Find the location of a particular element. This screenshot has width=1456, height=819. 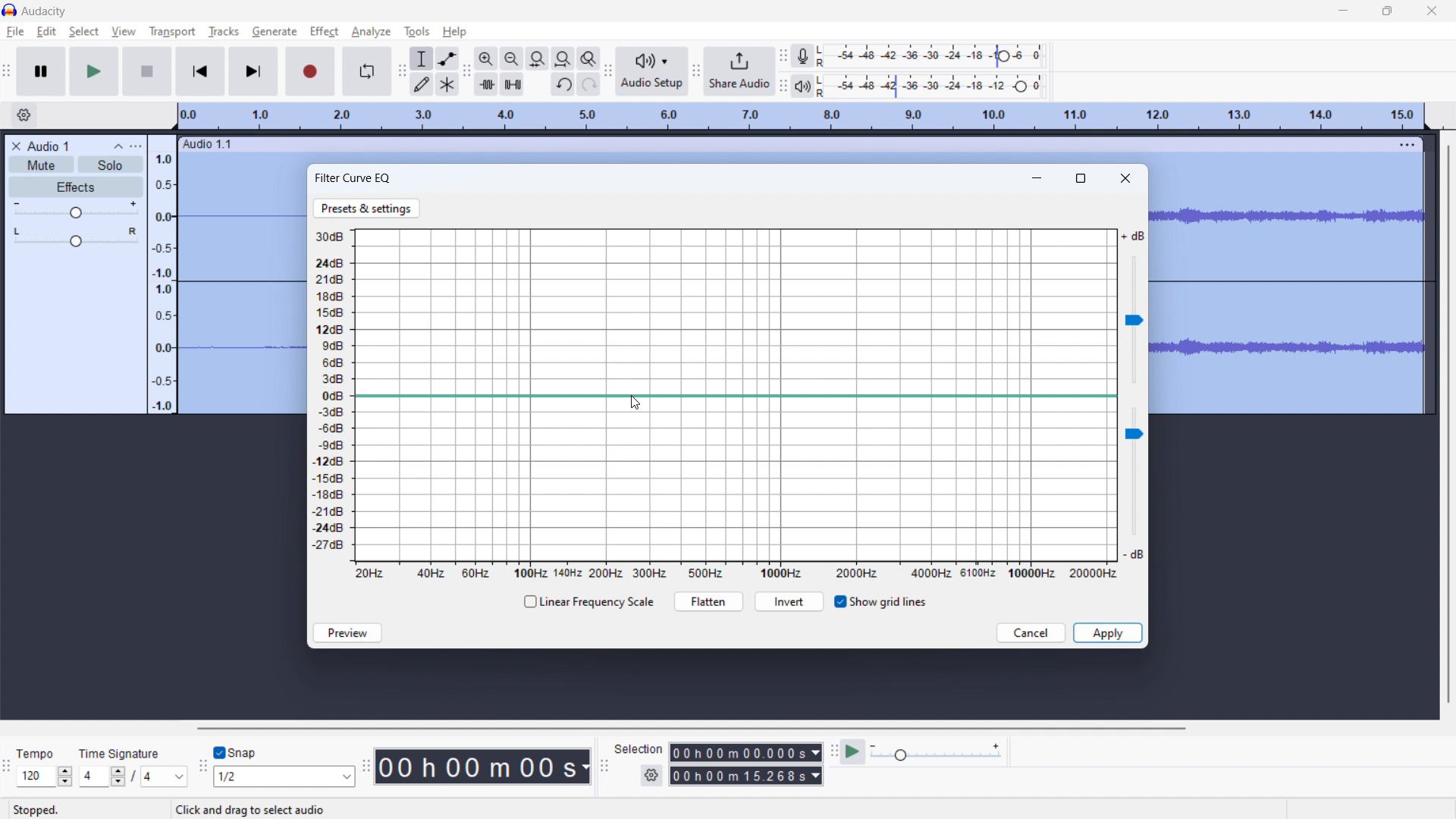

solo is located at coordinates (110, 165).